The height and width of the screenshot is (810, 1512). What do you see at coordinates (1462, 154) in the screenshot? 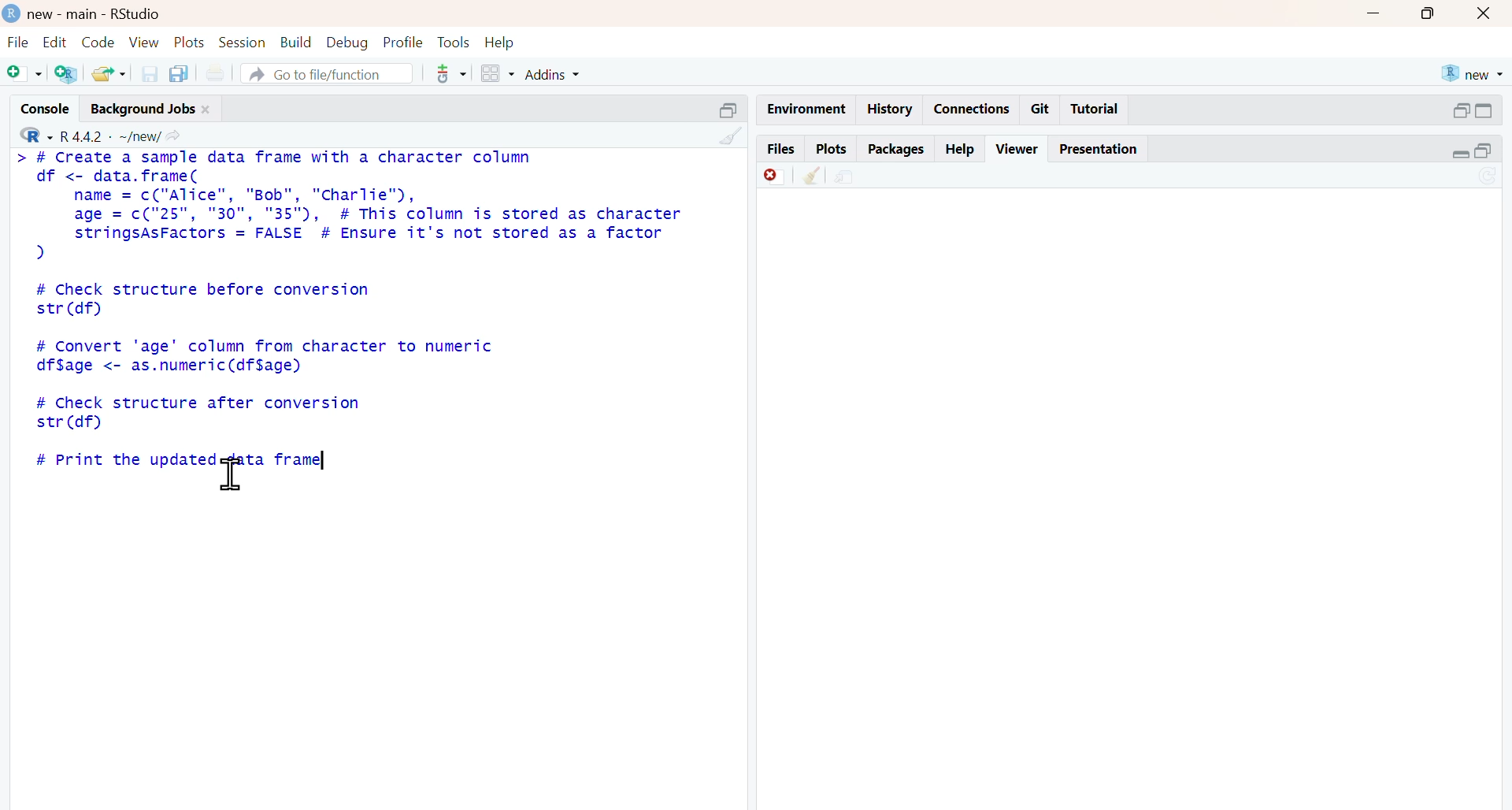
I see `expand/collapse` at bounding box center [1462, 154].